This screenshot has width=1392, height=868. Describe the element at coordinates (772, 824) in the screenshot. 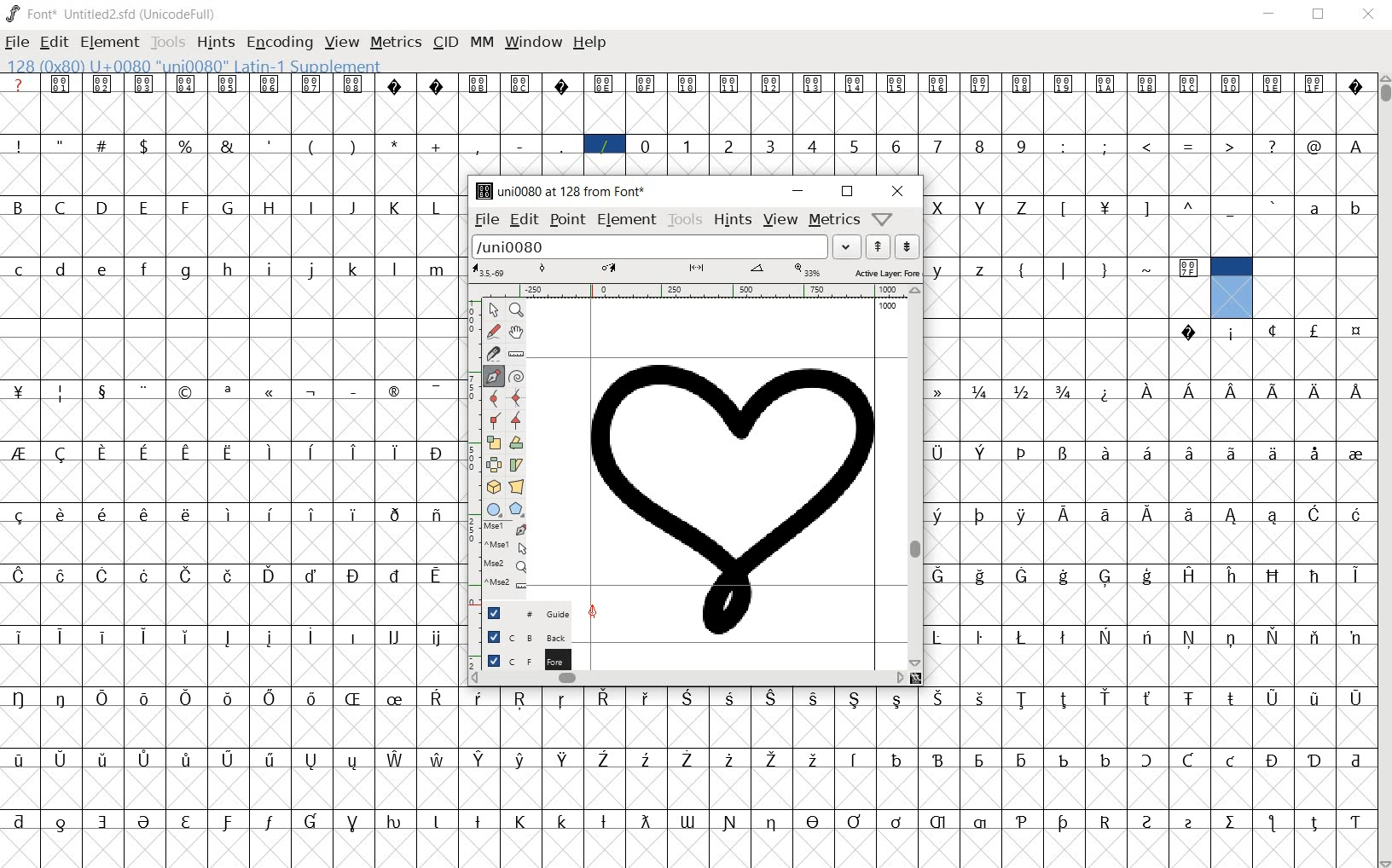

I see `glyph` at that location.